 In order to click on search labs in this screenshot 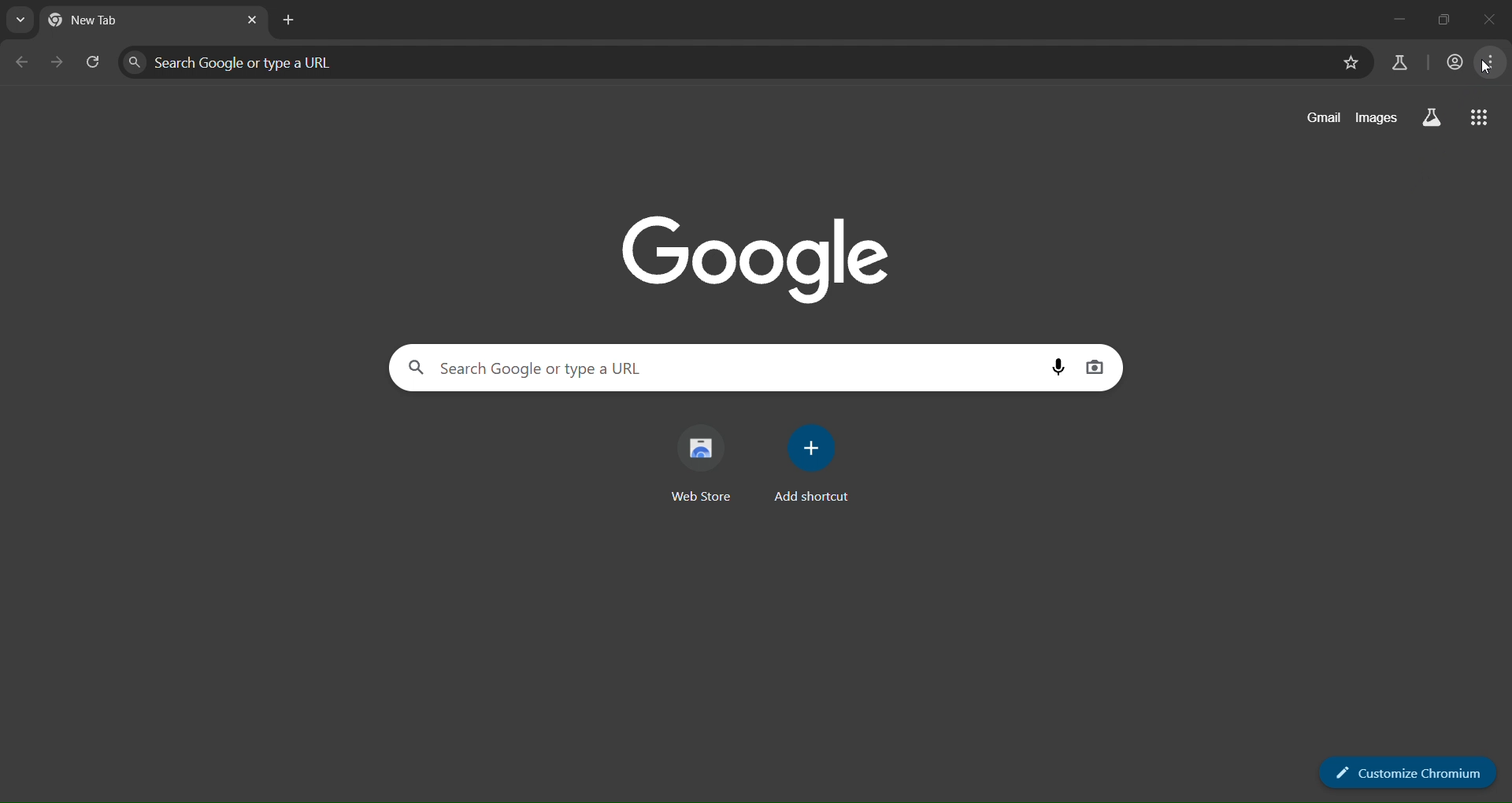, I will do `click(1399, 62)`.